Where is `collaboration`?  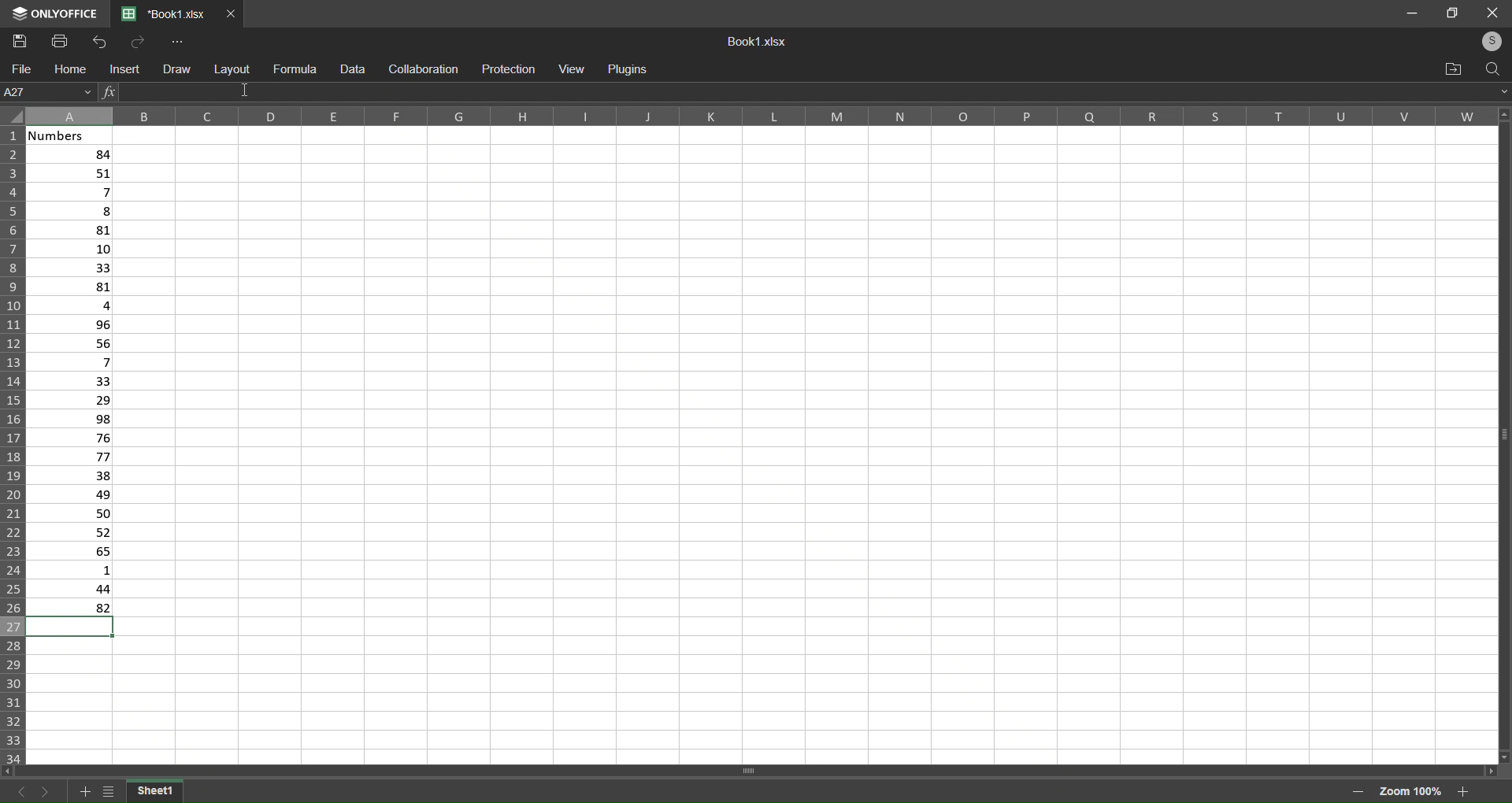
collaboration is located at coordinates (425, 69).